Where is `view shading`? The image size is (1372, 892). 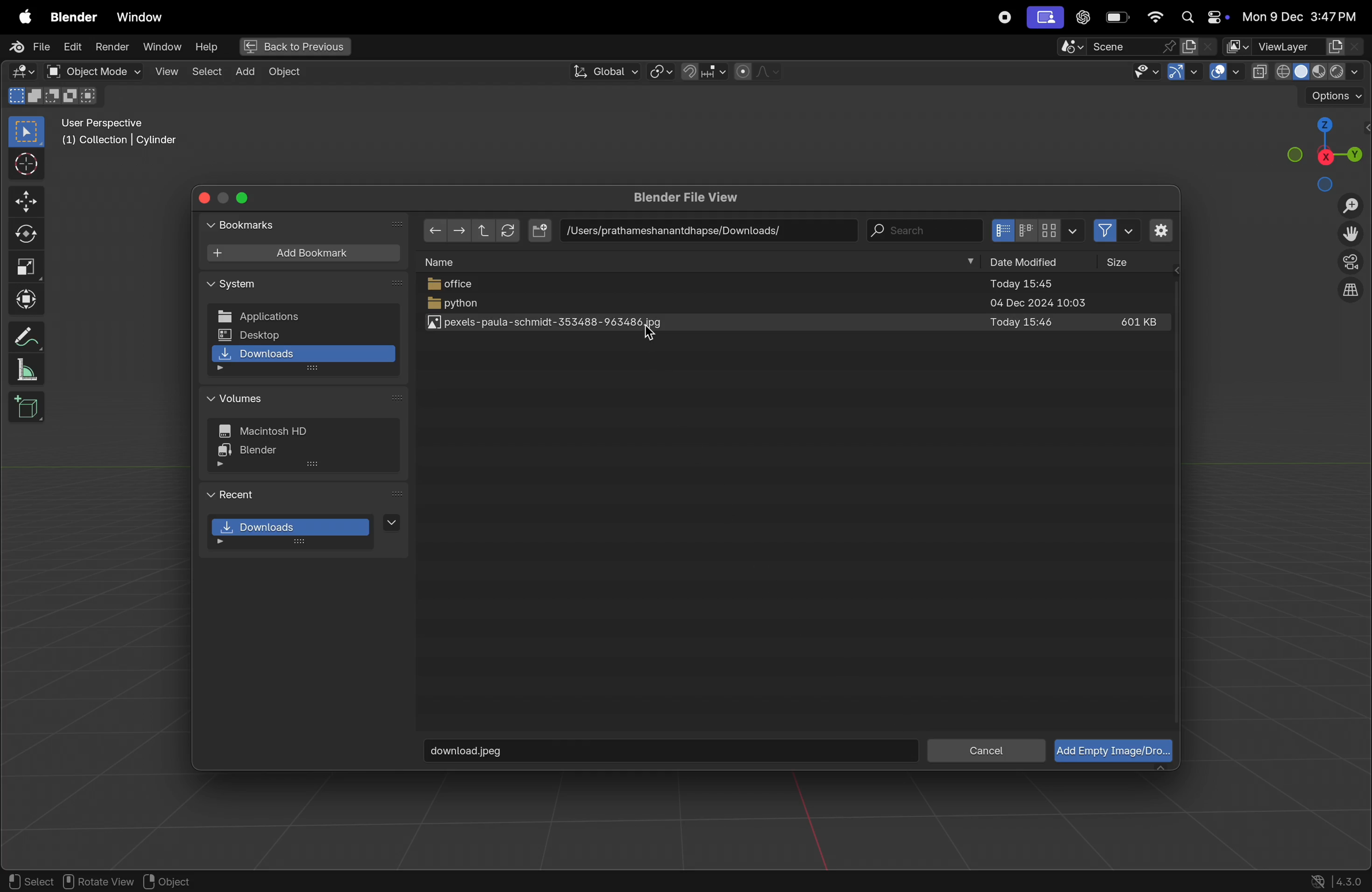 view shading is located at coordinates (1305, 71).